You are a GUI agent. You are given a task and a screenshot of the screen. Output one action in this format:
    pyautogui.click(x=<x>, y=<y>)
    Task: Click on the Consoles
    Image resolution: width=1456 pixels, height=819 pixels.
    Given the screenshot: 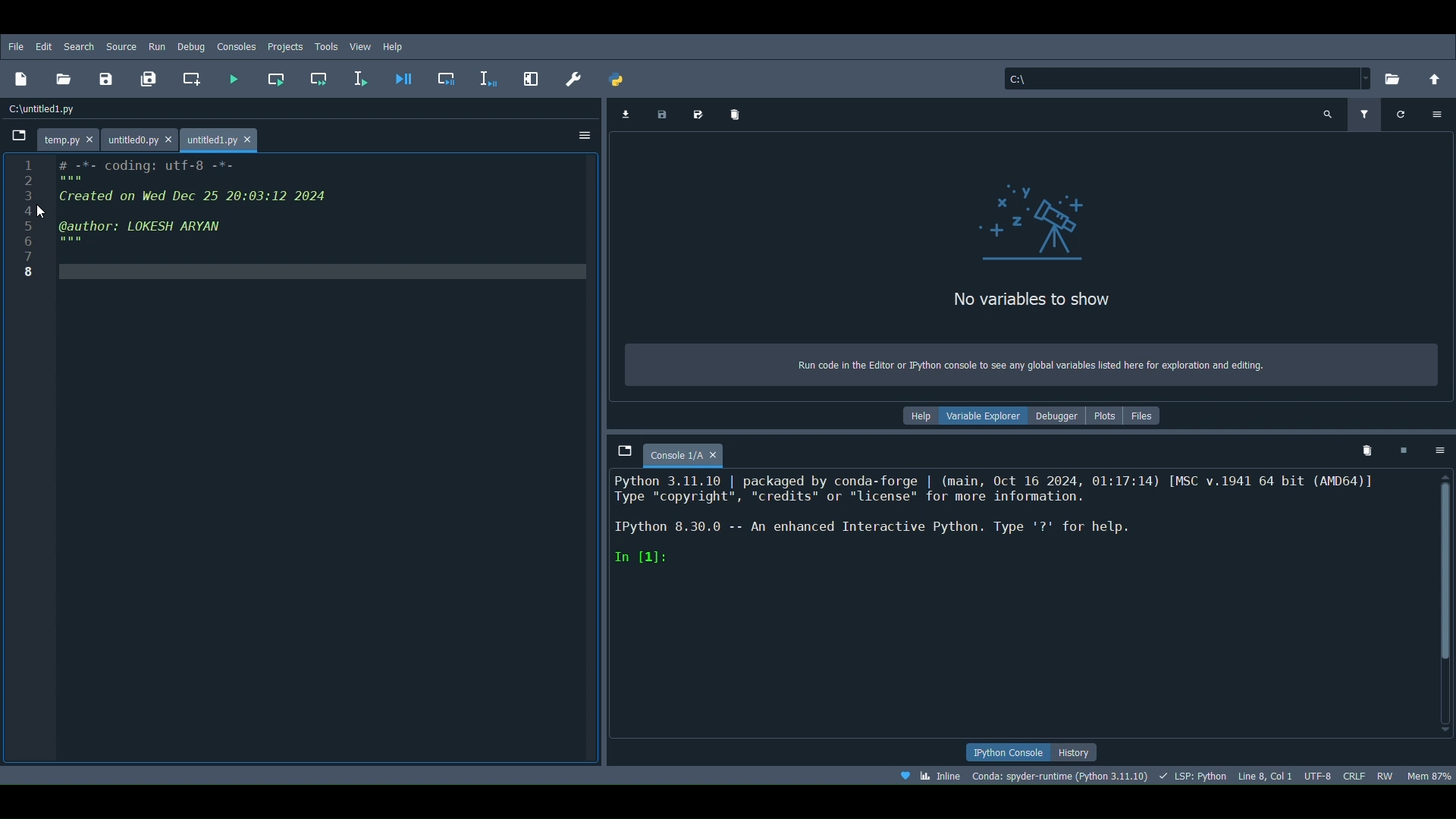 What is the action you would take?
    pyautogui.click(x=237, y=47)
    